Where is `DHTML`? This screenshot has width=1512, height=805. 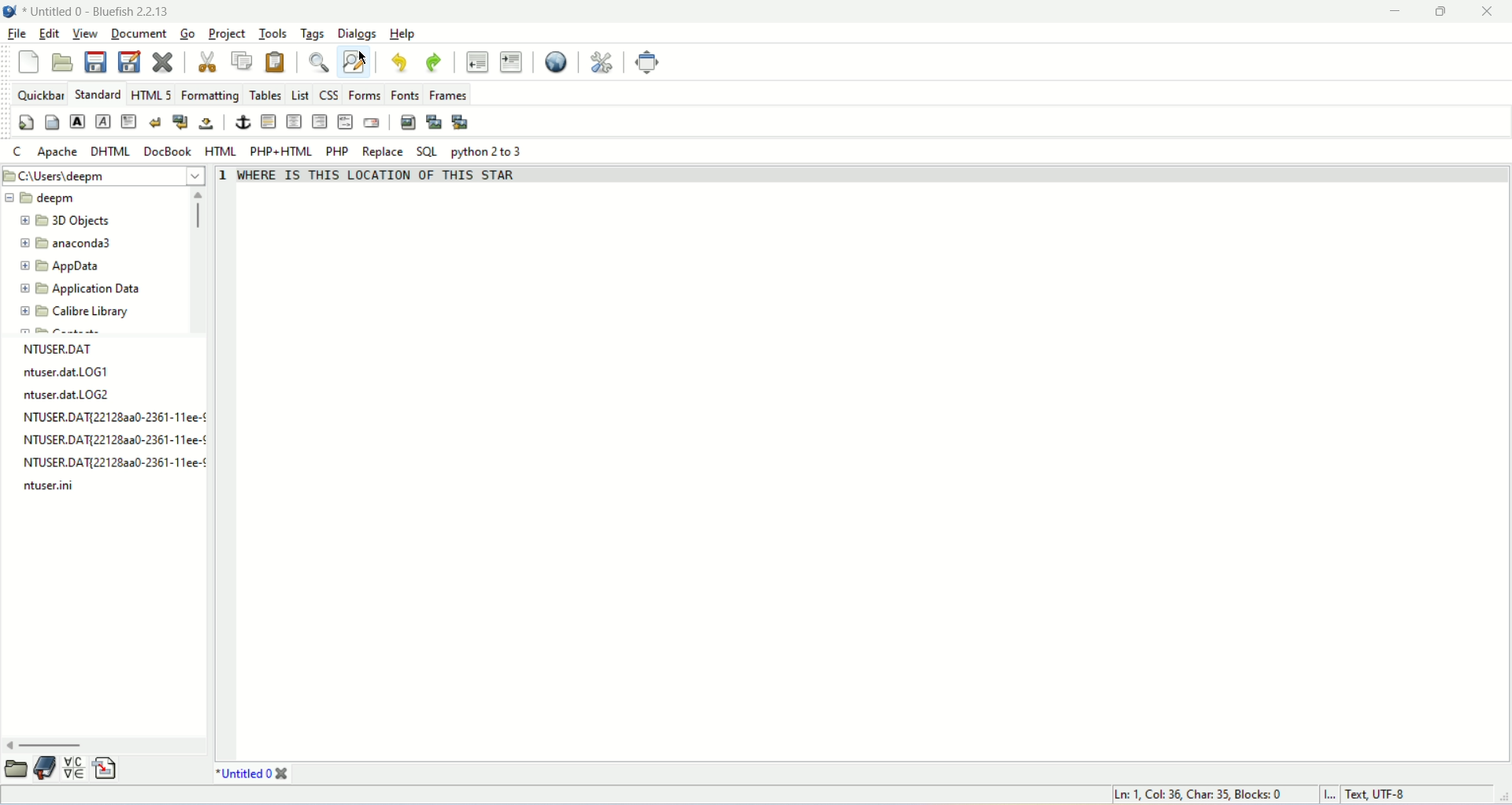
DHTML is located at coordinates (108, 151).